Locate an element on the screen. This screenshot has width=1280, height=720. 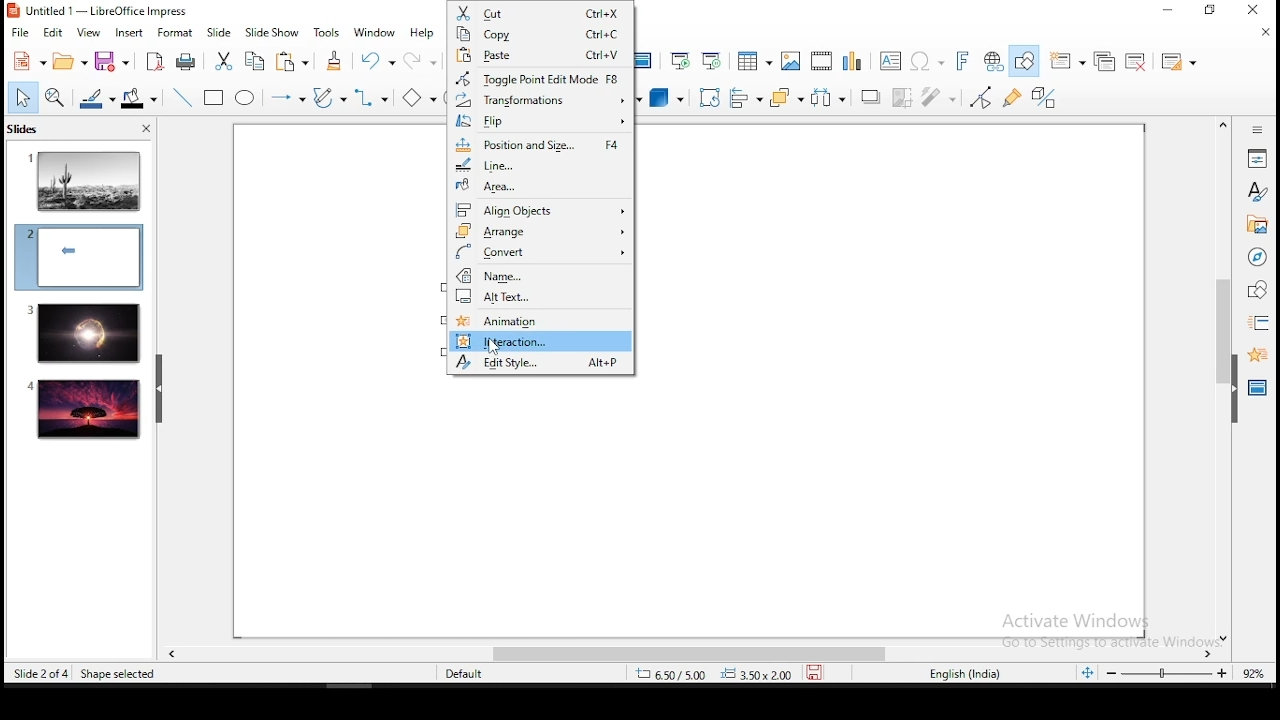
transformation is located at coordinates (539, 100).